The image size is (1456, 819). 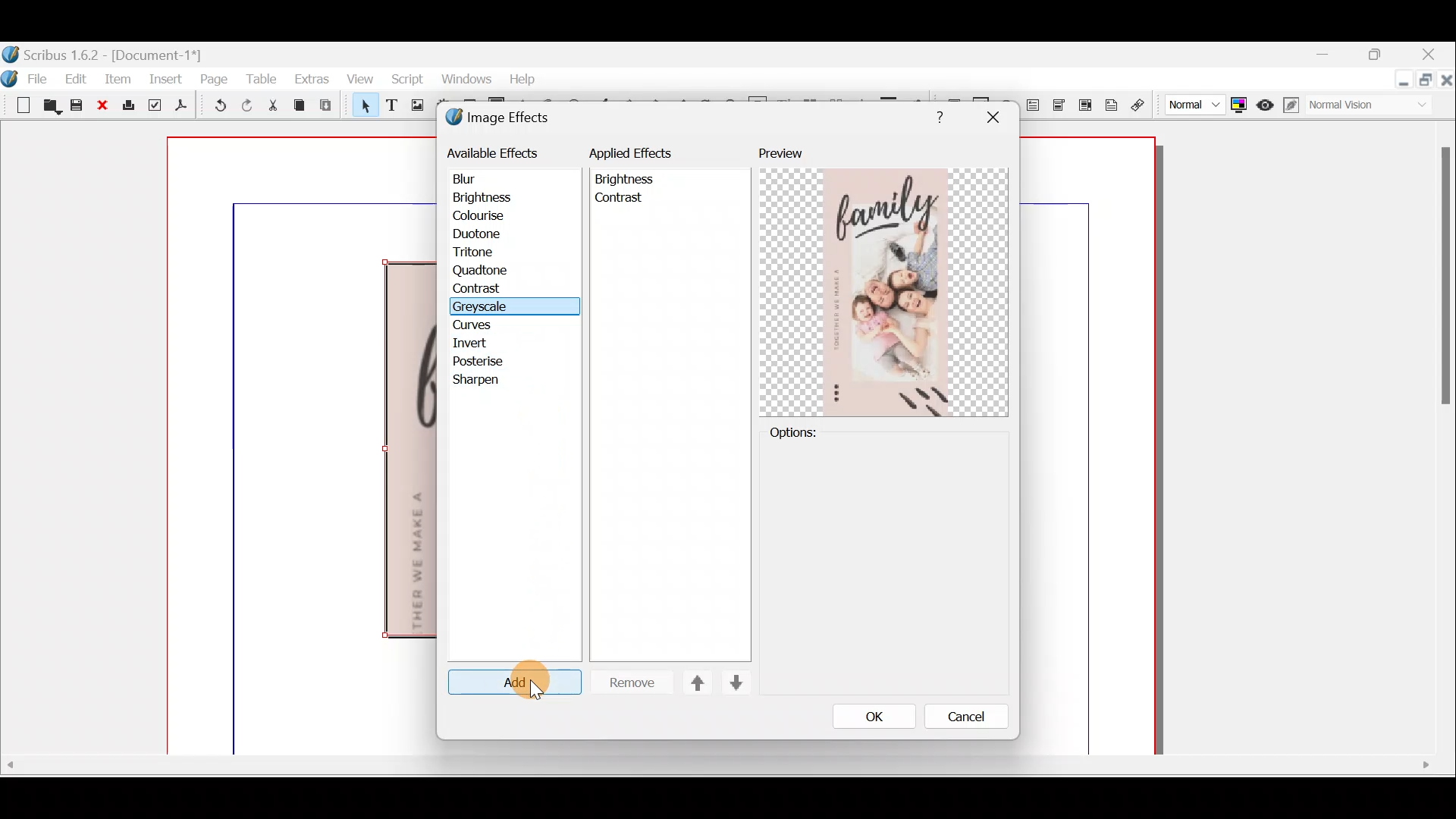 What do you see at coordinates (479, 381) in the screenshot?
I see `sharpen` at bounding box center [479, 381].